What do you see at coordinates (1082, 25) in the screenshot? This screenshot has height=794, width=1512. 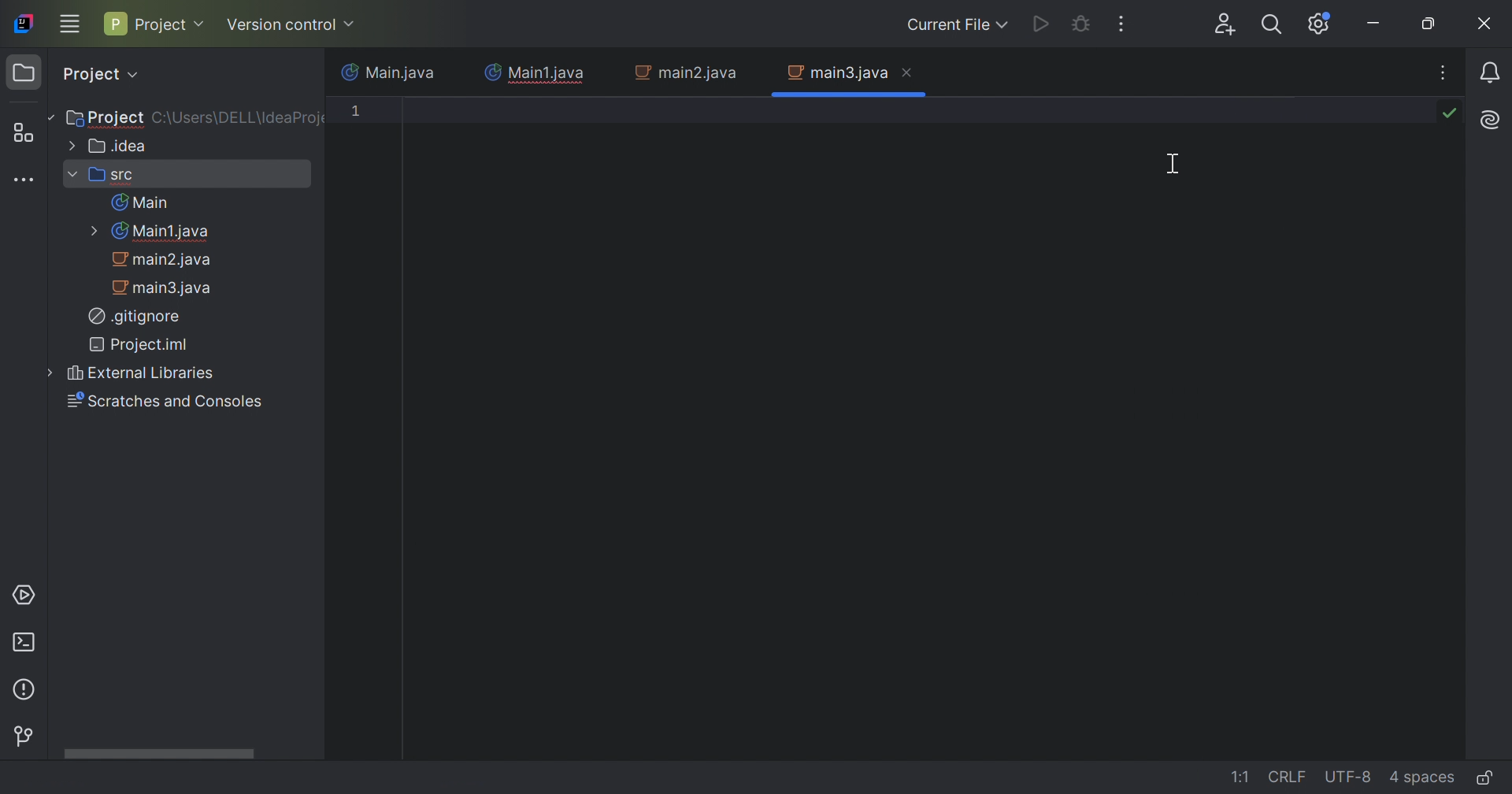 I see `Debug` at bounding box center [1082, 25].